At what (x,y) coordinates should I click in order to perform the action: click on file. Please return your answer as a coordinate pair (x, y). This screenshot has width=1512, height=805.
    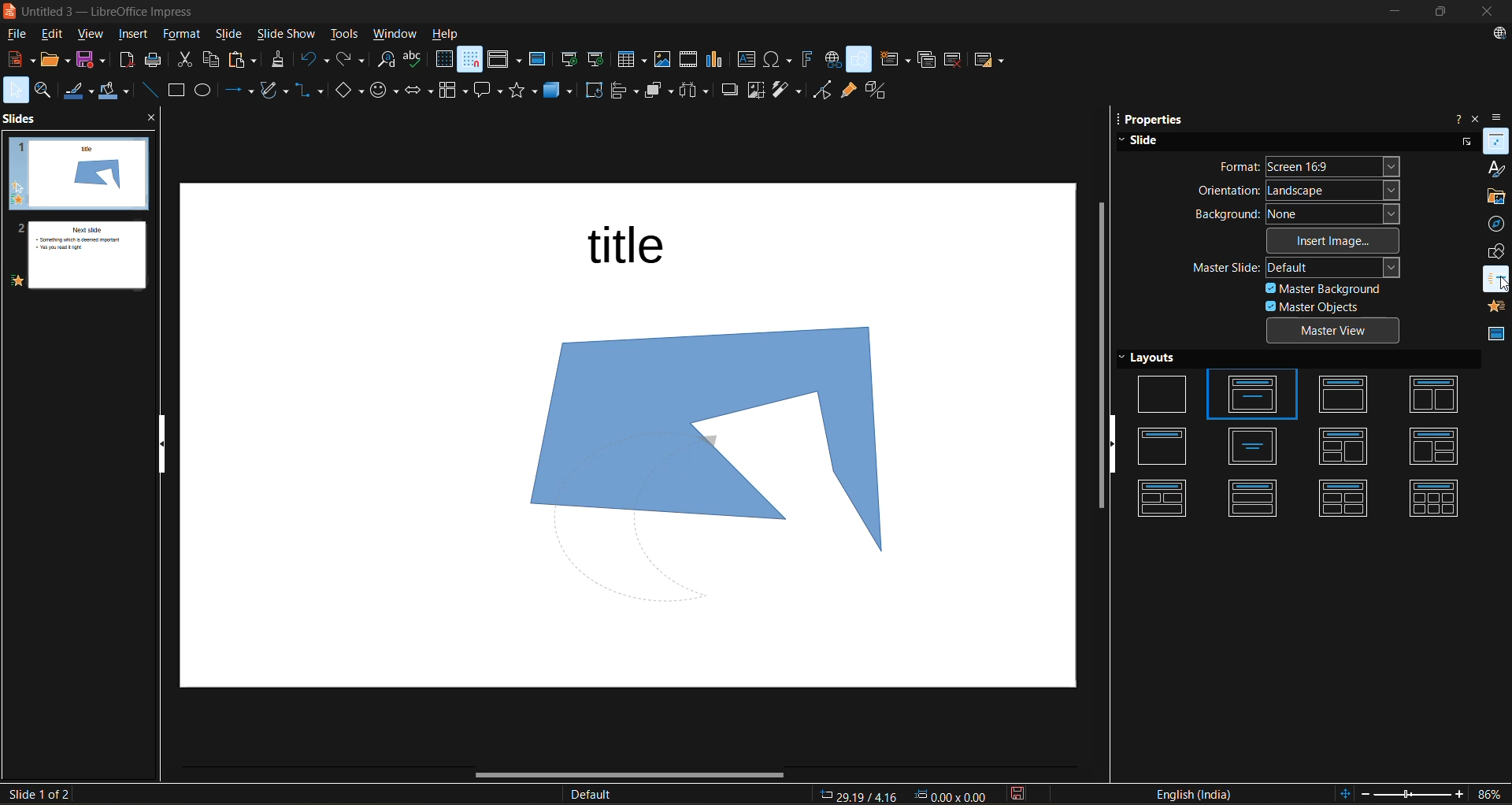
    Looking at the image, I should click on (21, 35).